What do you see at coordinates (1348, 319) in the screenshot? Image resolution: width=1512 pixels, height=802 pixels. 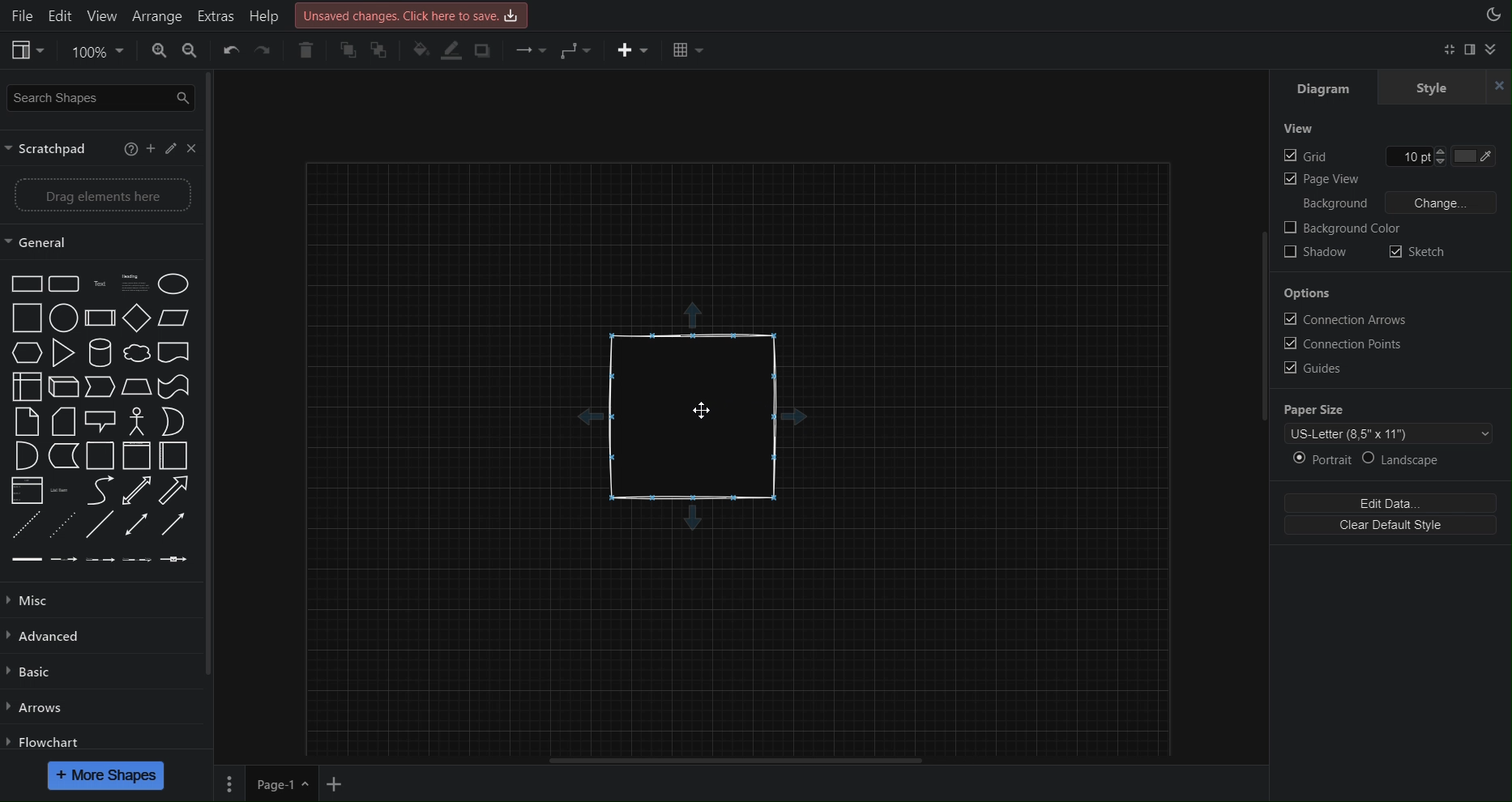 I see `Connection Arrows` at bounding box center [1348, 319].